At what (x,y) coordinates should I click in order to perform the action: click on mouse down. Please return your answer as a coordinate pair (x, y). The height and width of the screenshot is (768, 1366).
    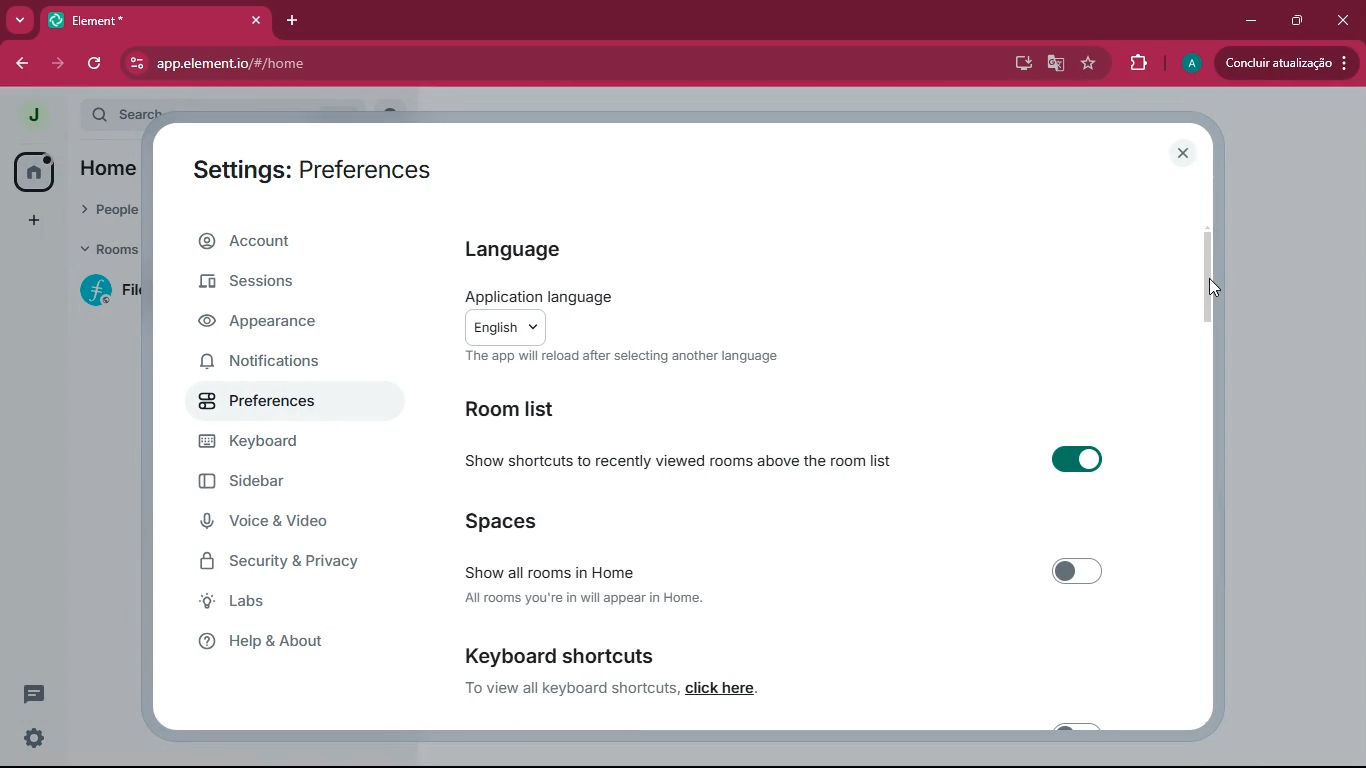
    Looking at the image, I should click on (1217, 288).